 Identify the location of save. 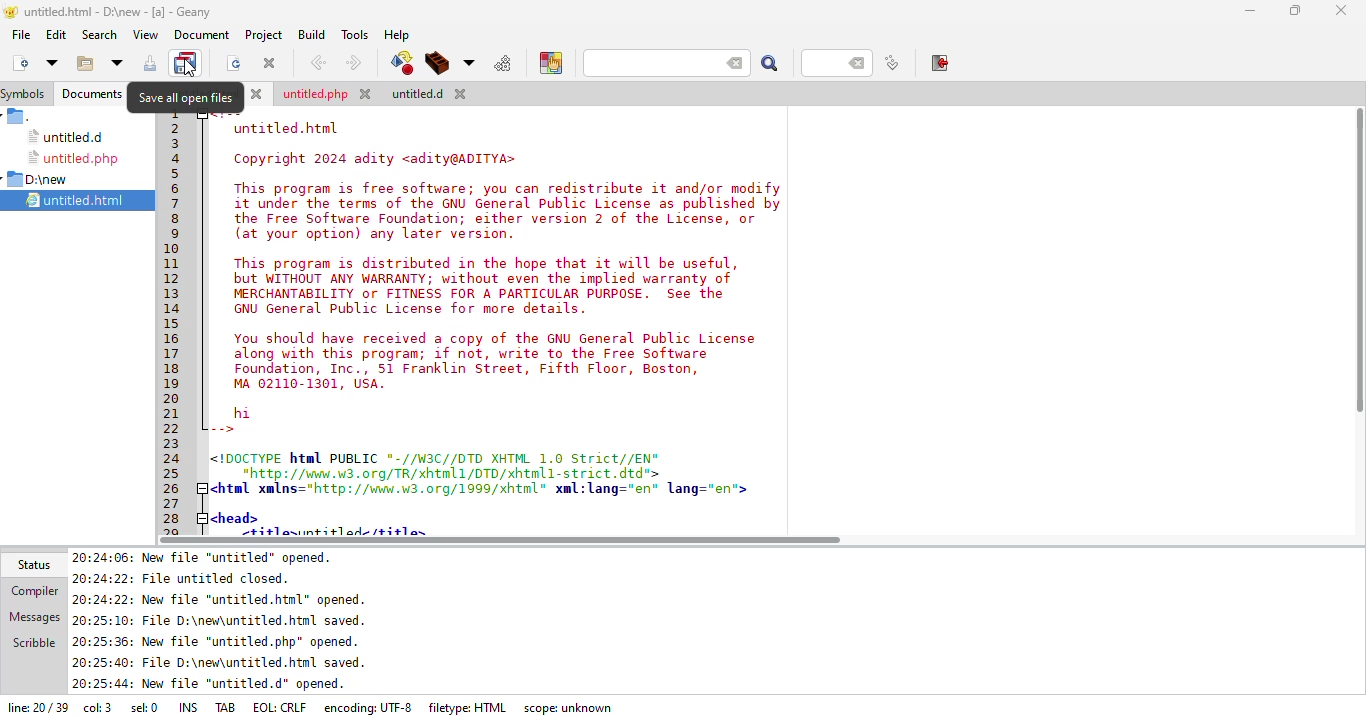
(149, 64).